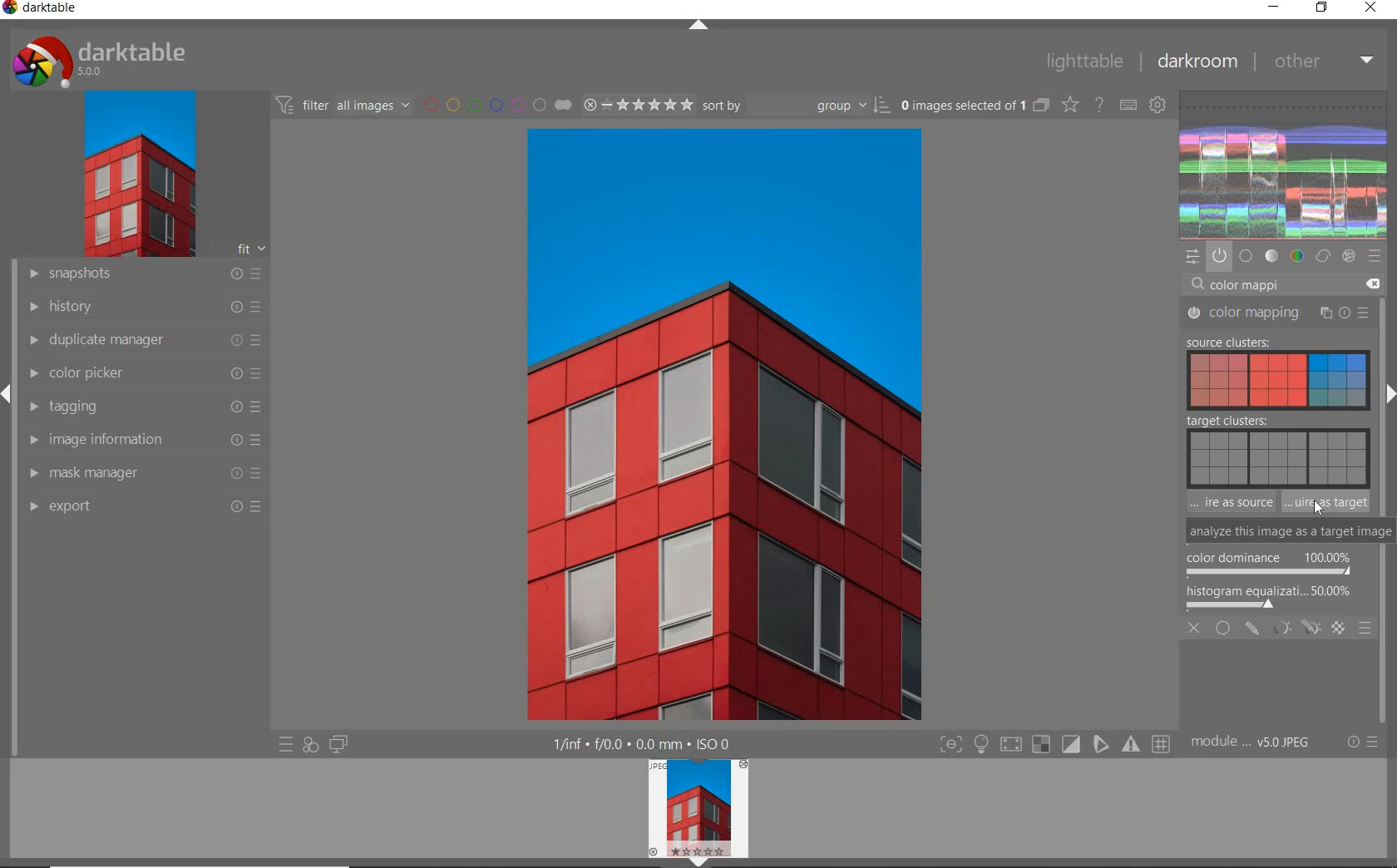 The image size is (1397, 868). Describe the element at coordinates (1246, 257) in the screenshot. I see `base` at that location.